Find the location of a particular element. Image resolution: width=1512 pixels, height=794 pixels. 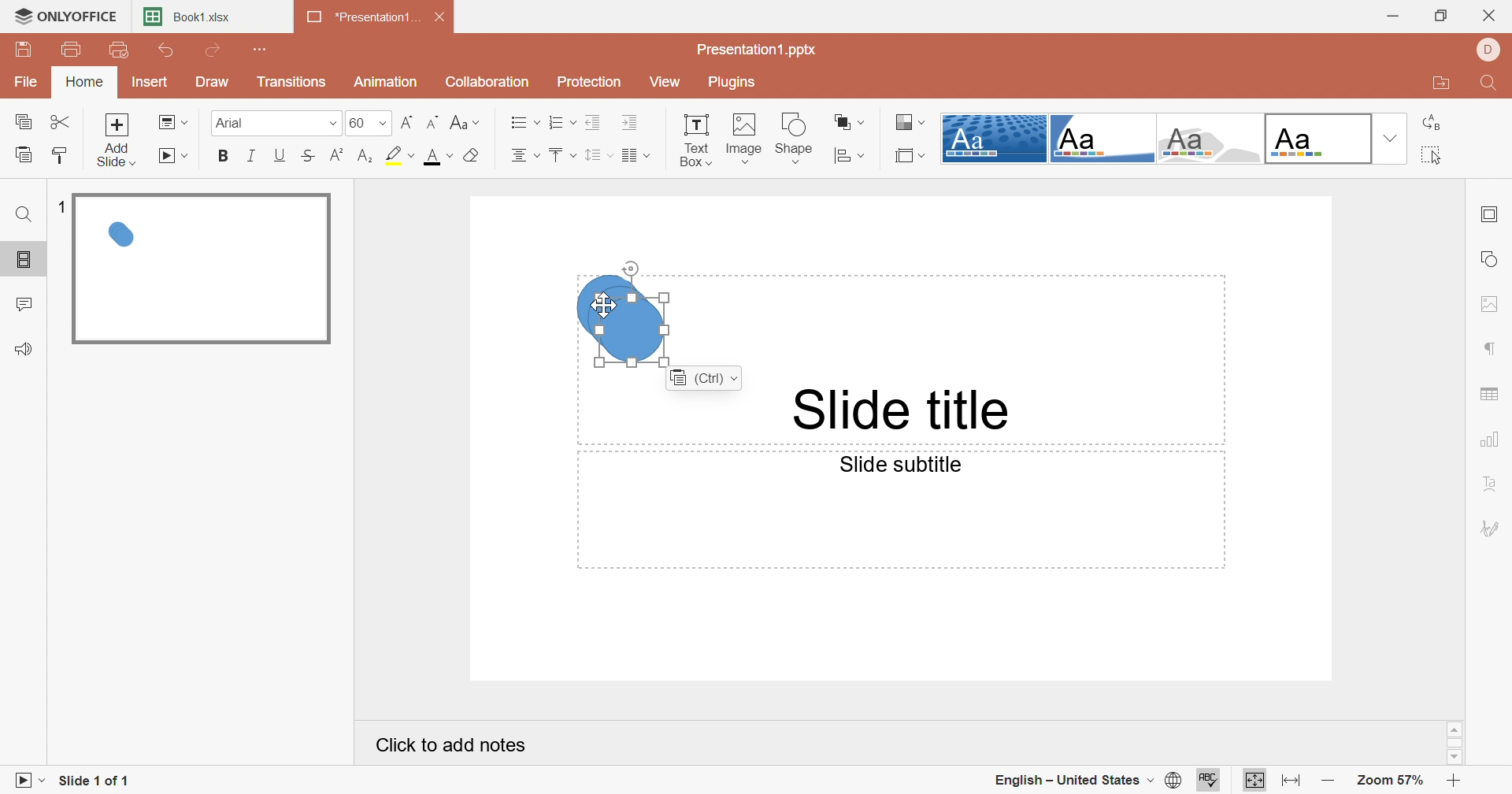

Change case is located at coordinates (465, 121).